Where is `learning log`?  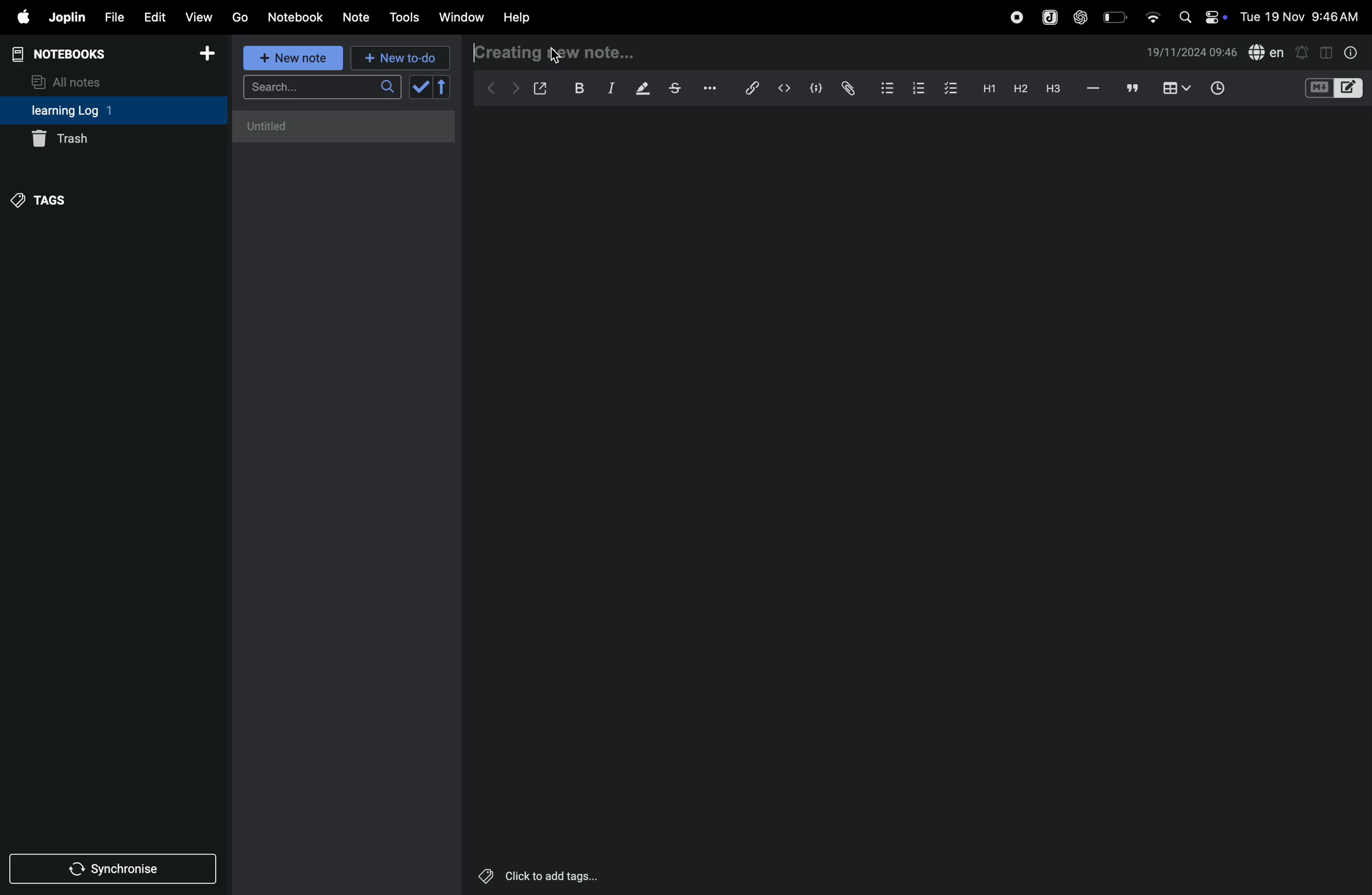
learning log is located at coordinates (88, 111).